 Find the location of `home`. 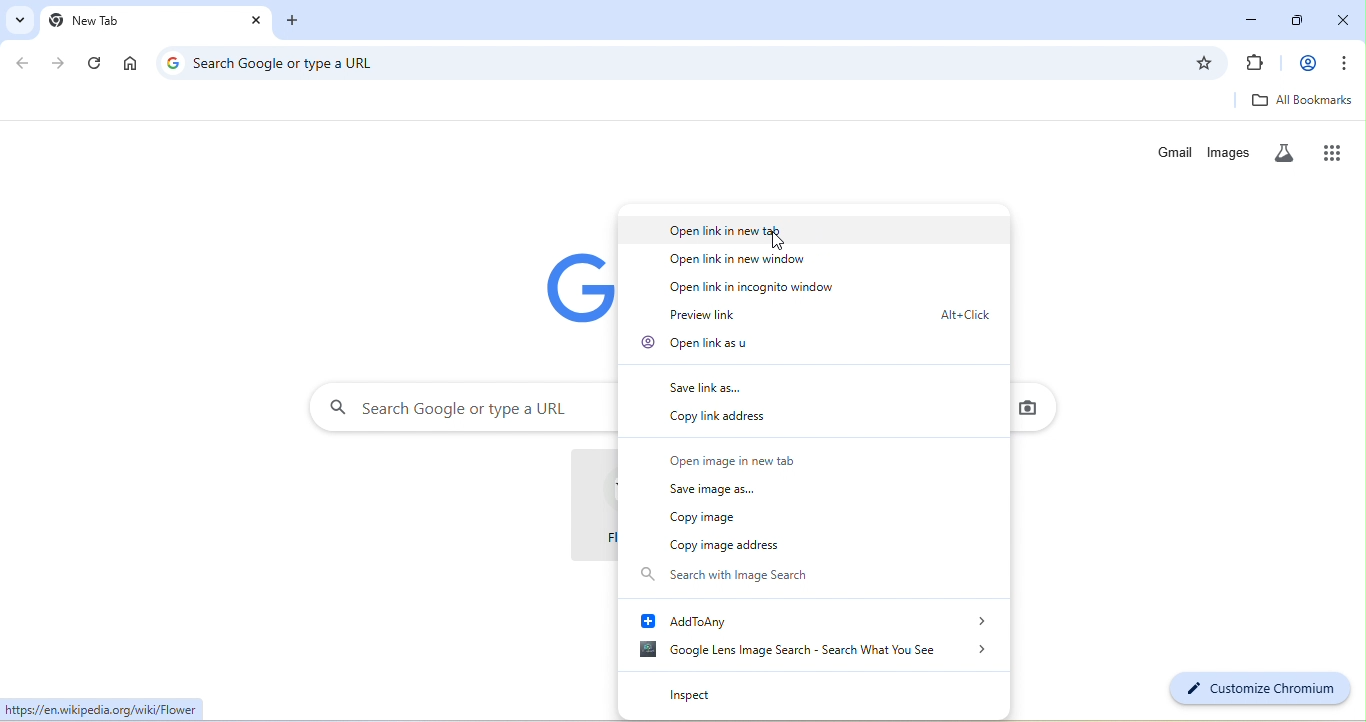

home is located at coordinates (130, 64).